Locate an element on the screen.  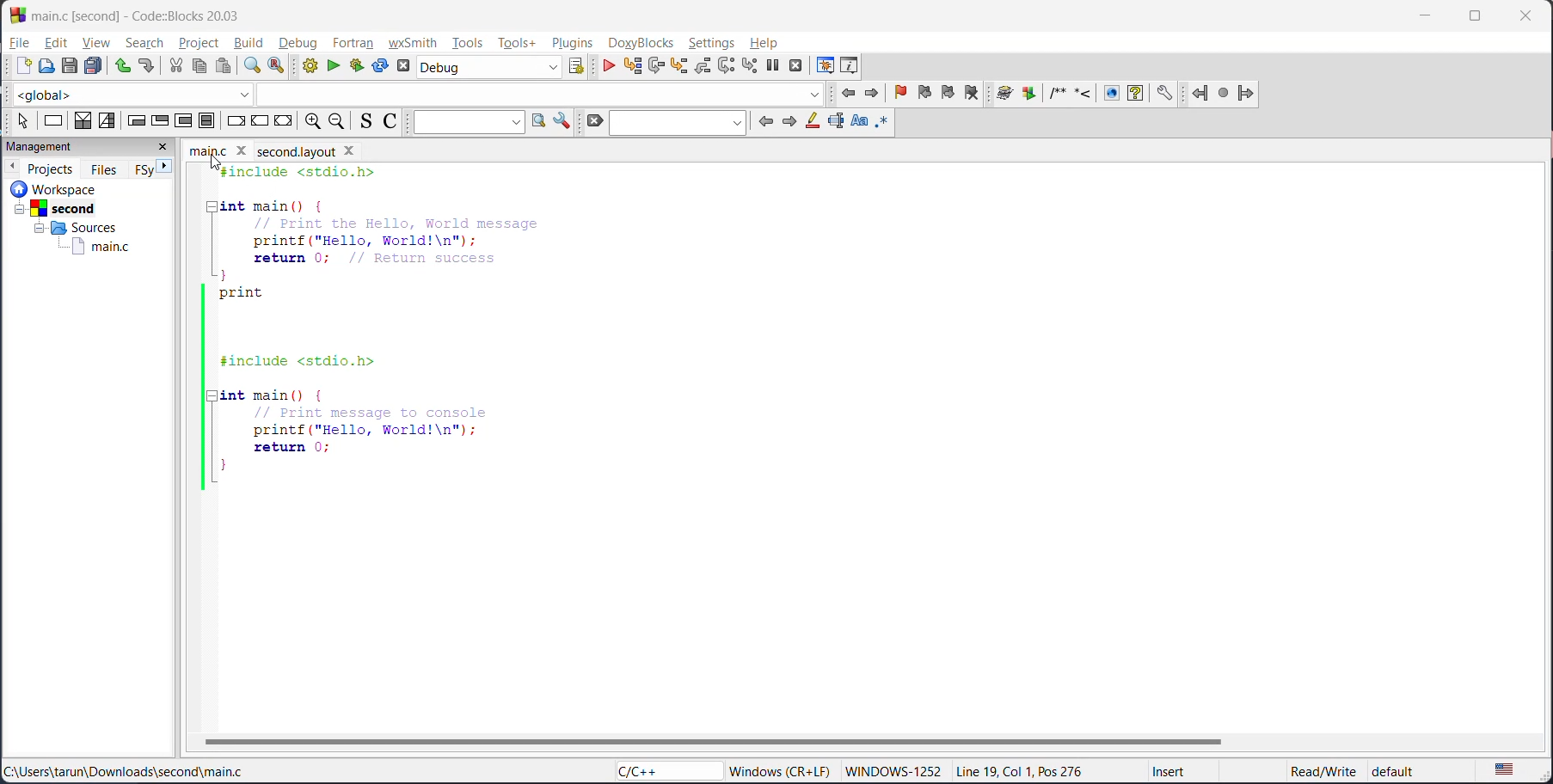
next line is located at coordinates (656, 67).